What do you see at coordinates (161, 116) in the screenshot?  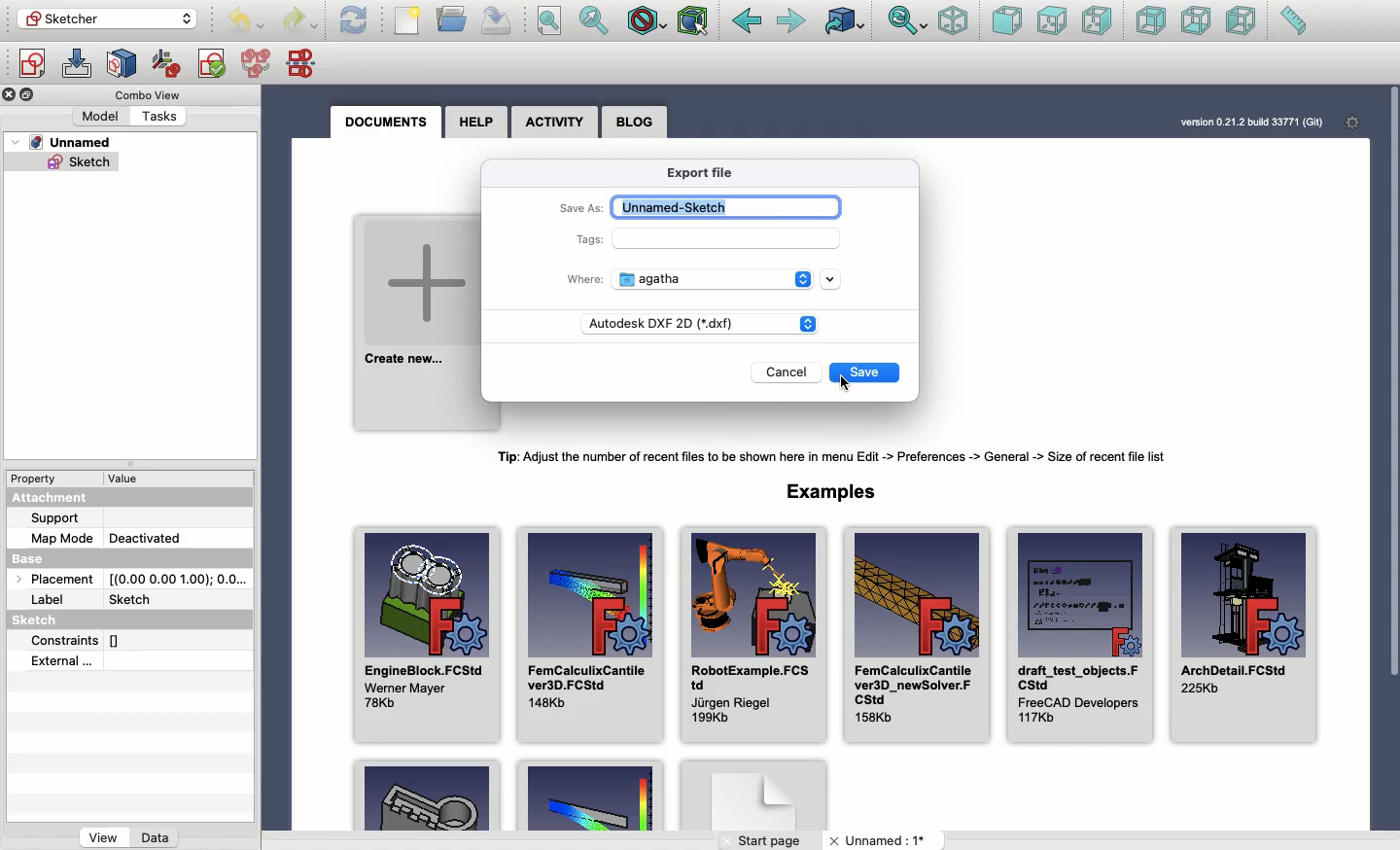 I see `Tasks` at bounding box center [161, 116].